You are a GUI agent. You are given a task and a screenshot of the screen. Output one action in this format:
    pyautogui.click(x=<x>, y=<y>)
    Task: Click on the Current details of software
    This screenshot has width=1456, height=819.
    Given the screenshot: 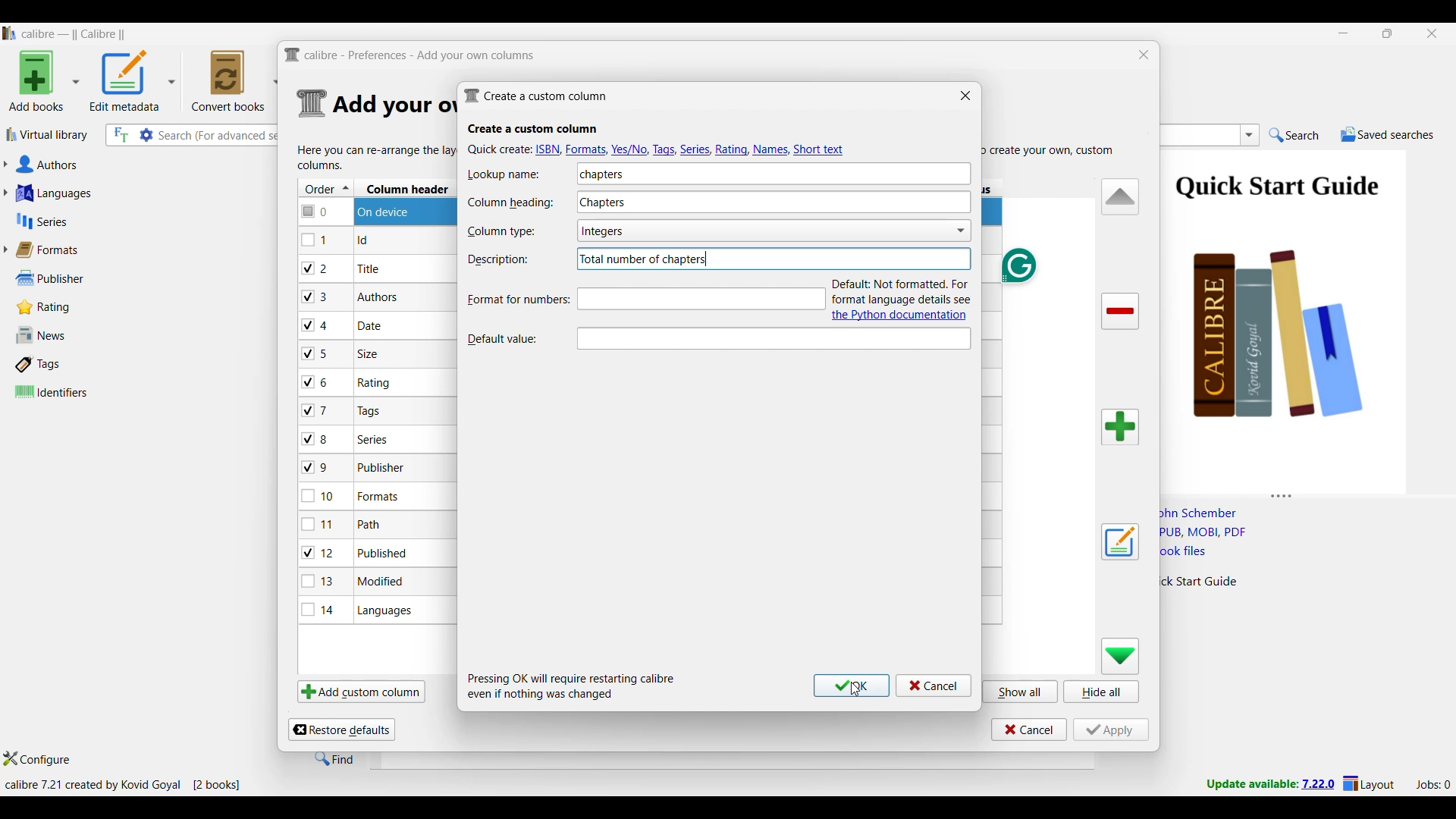 What is the action you would take?
    pyautogui.click(x=122, y=785)
    